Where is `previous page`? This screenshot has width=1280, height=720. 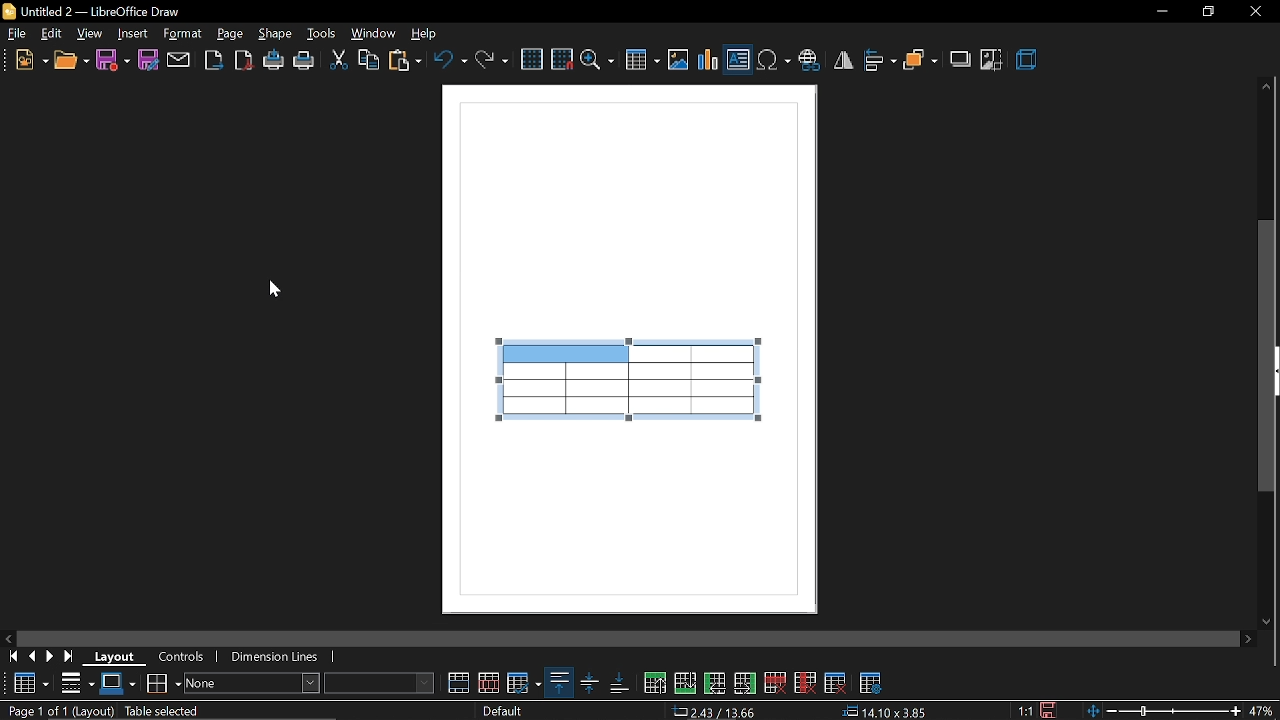 previous page is located at coordinates (32, 657).